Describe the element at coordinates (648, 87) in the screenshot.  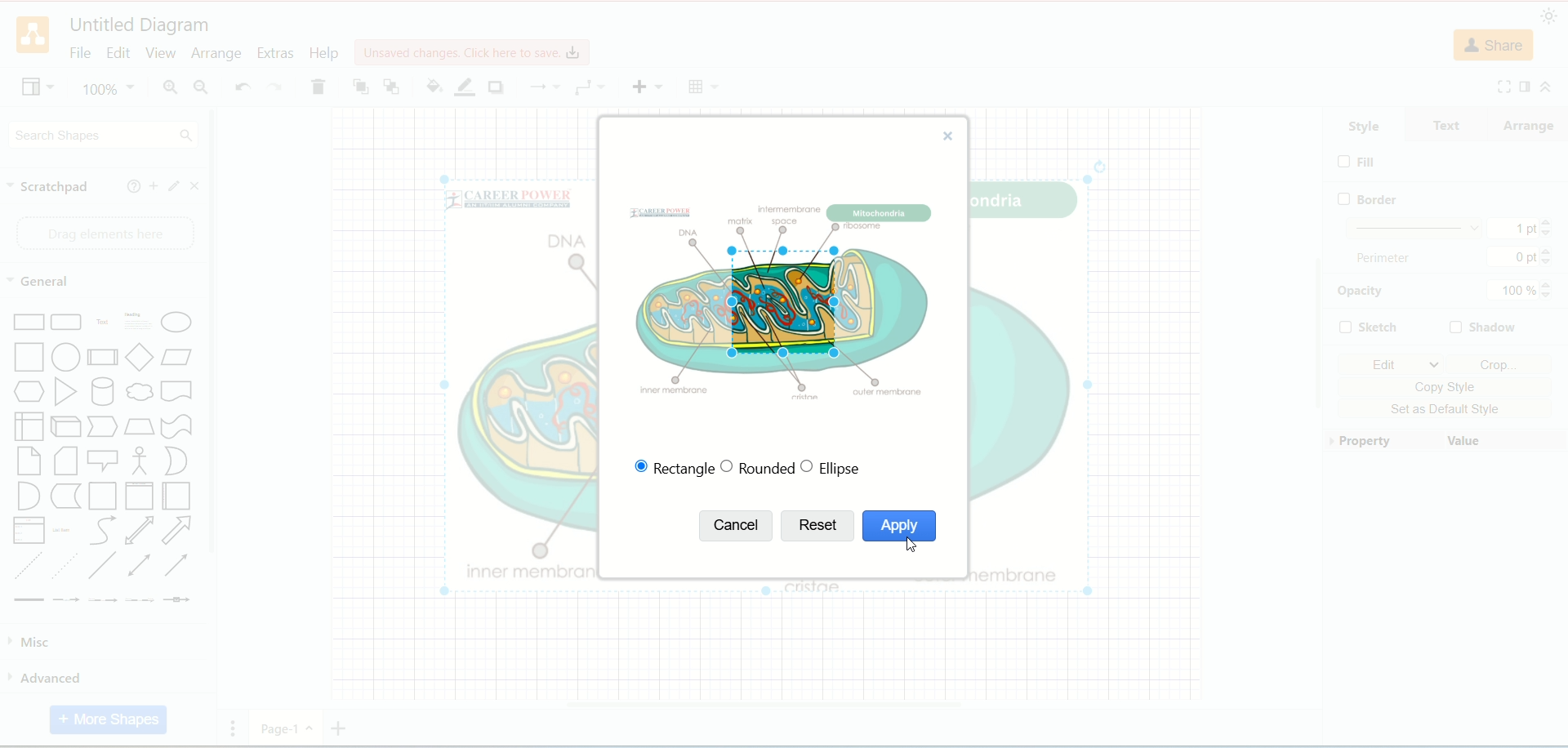
I see `insert` at that location.